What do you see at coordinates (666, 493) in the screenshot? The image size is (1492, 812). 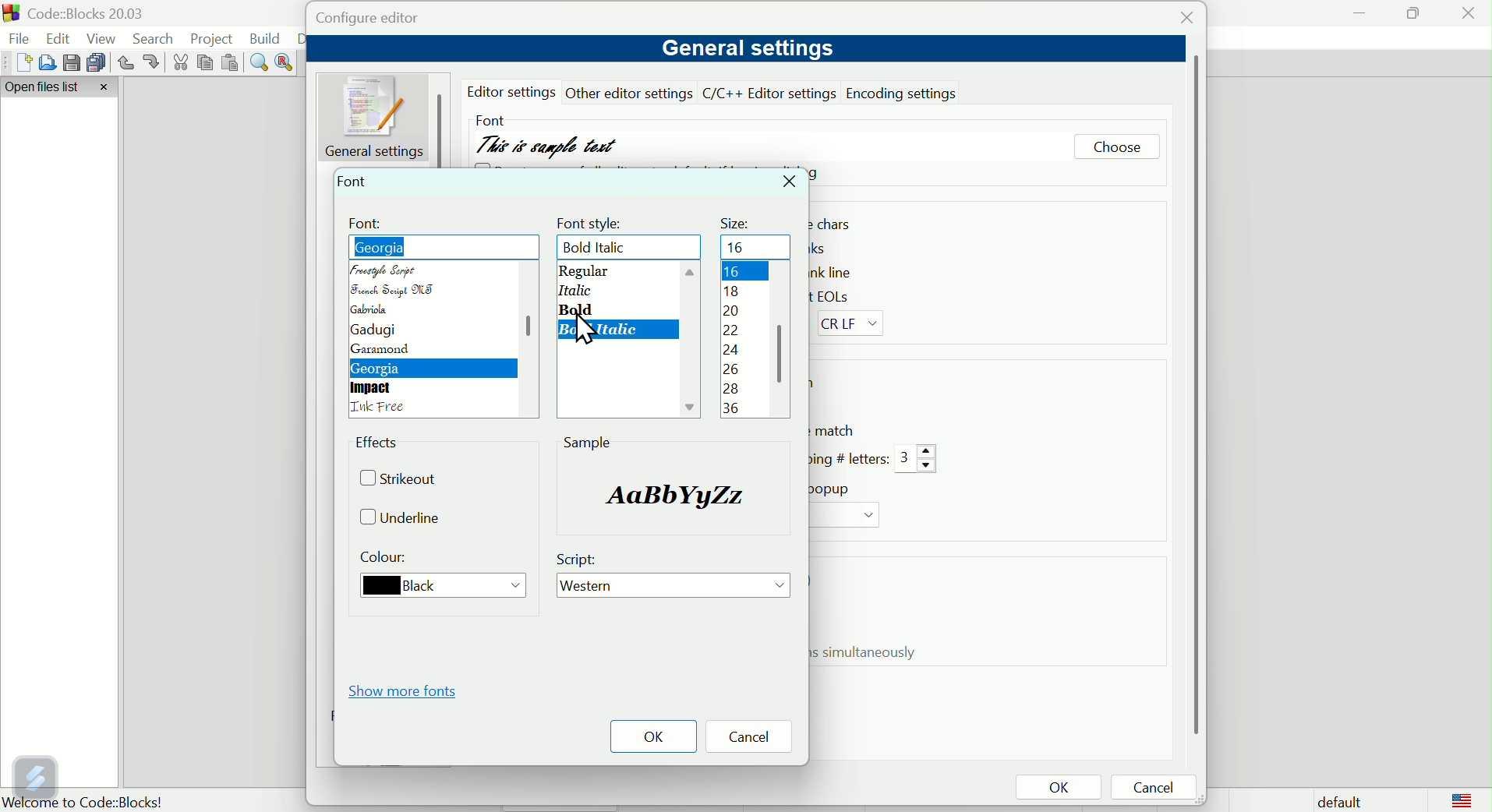 I see `sample` at bounding box center [666, 493].